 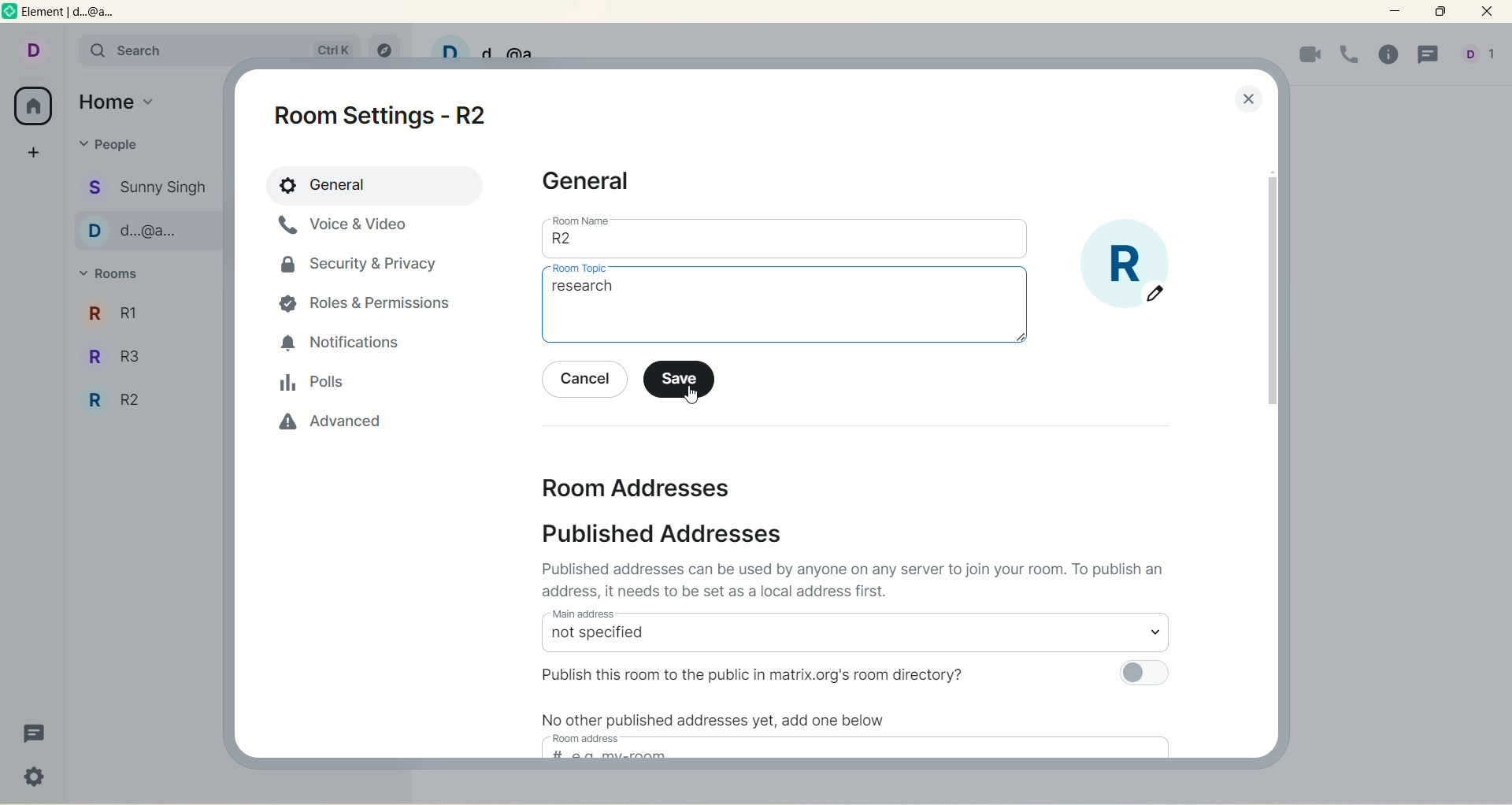 What do you see at coordinates (1308, 56) in the screenshot?
I see `video call` at bounding box center [1308, 56].